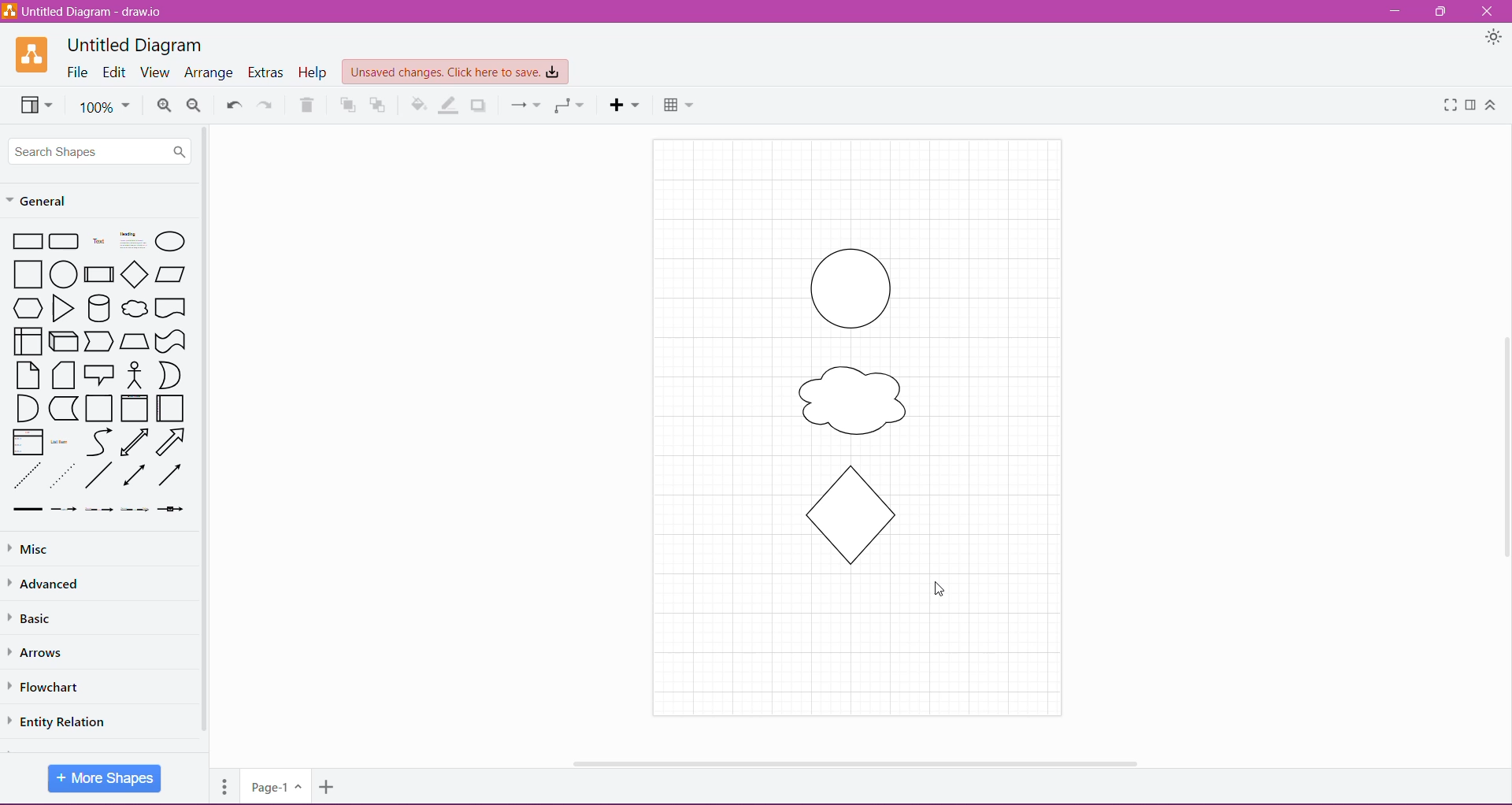  I want to click on Cursor , so click(939, 589).